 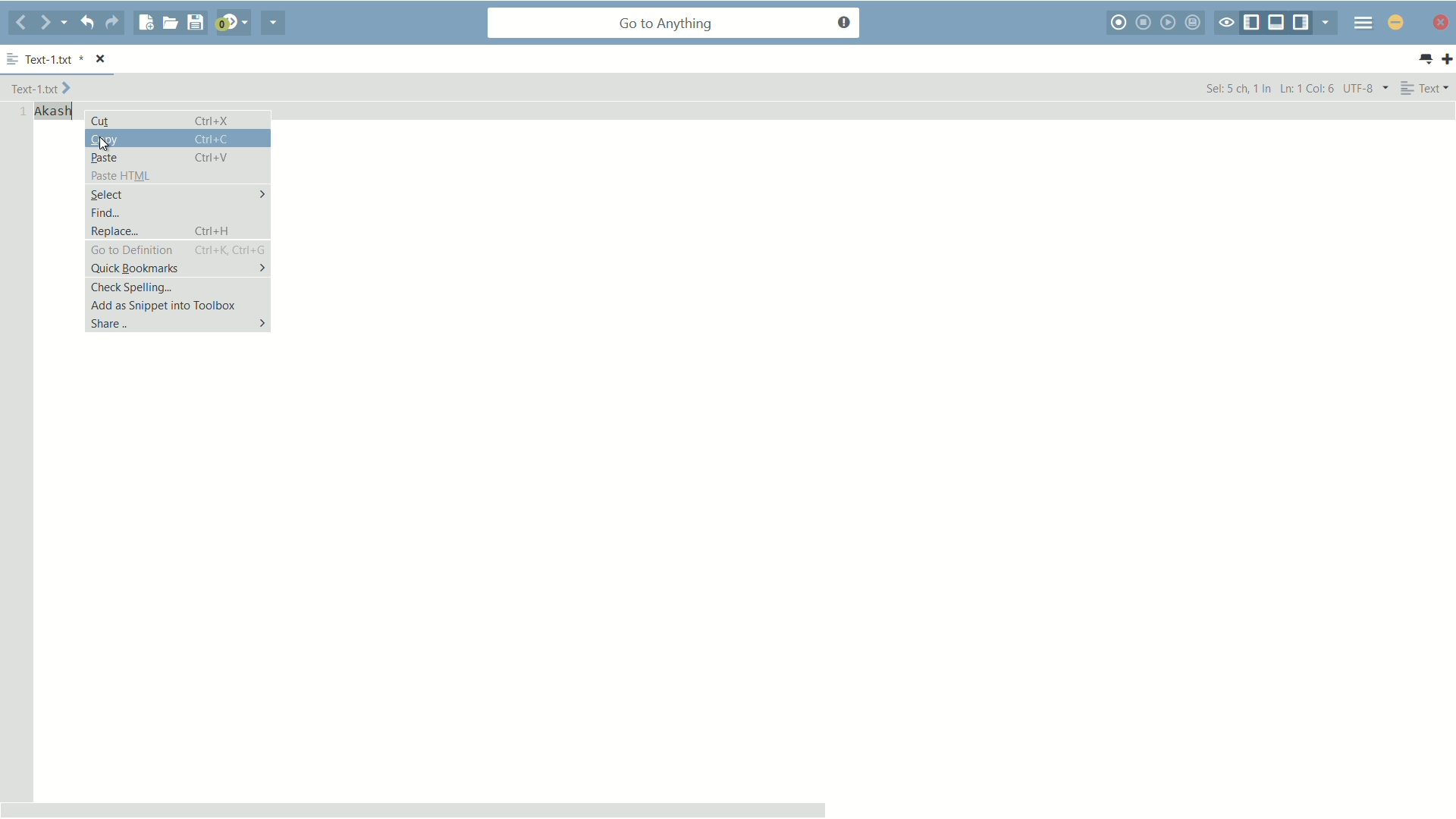 I want to click on replace, so click(x=176, y=231).